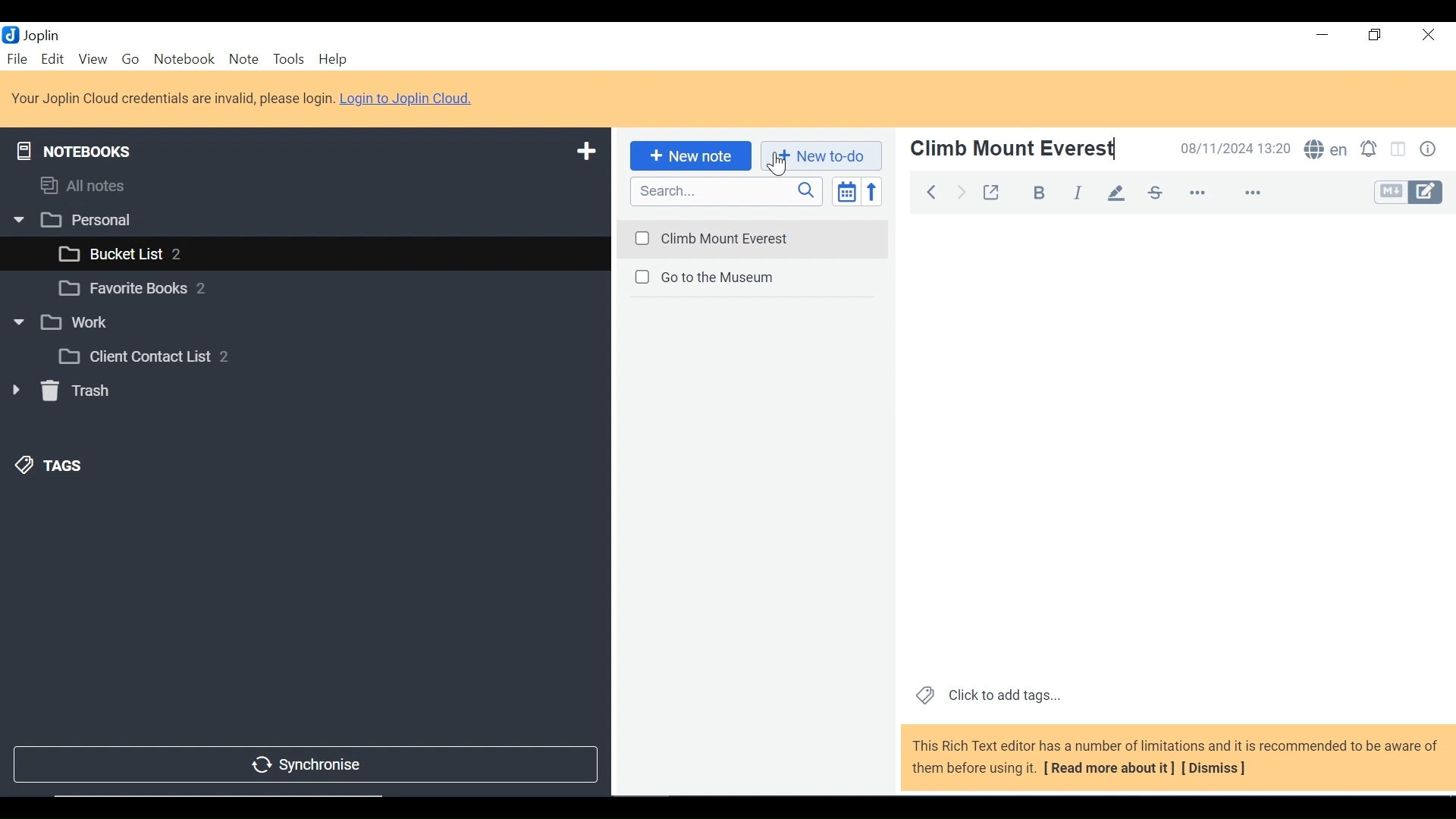 The image size is (1456, 819). What do you see at coordinates (1078, 193) in the screenshot?
I see `Italics` at bounding box center [1078, 193].